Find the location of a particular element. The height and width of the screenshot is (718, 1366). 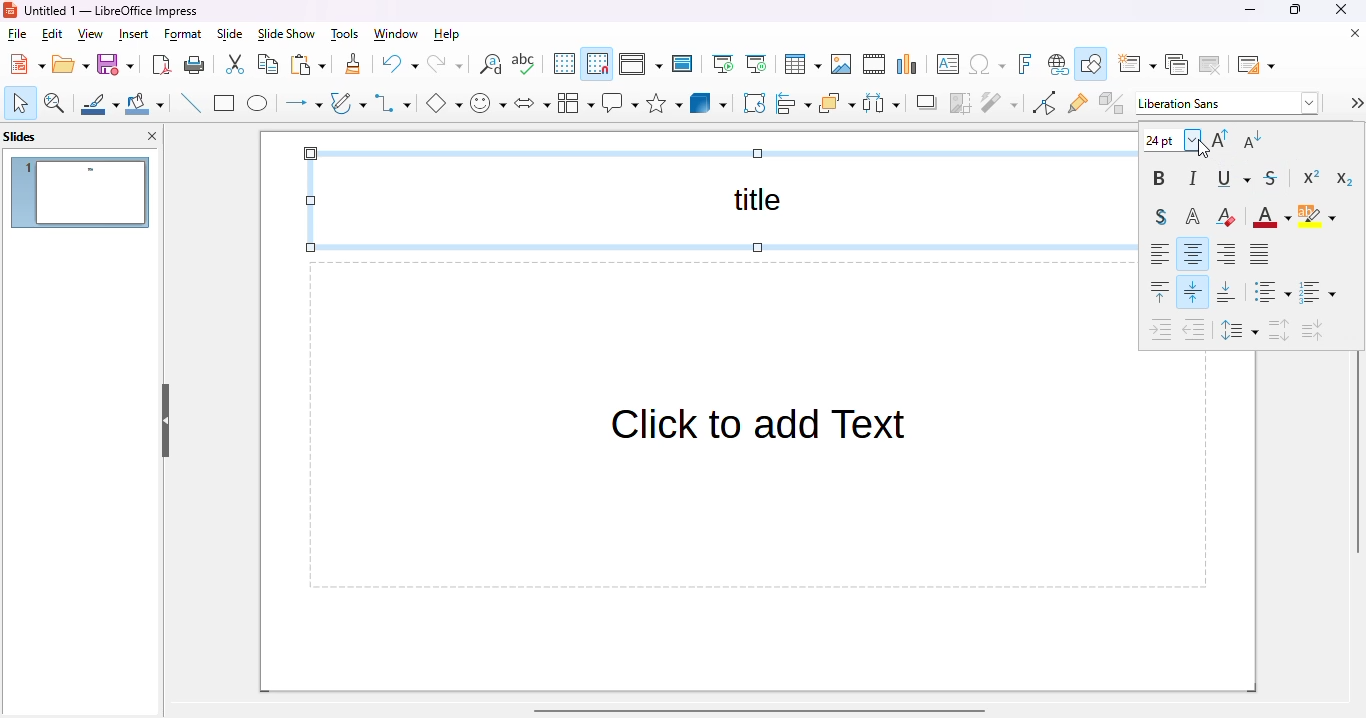

close is located at coordinates (1341, 10).